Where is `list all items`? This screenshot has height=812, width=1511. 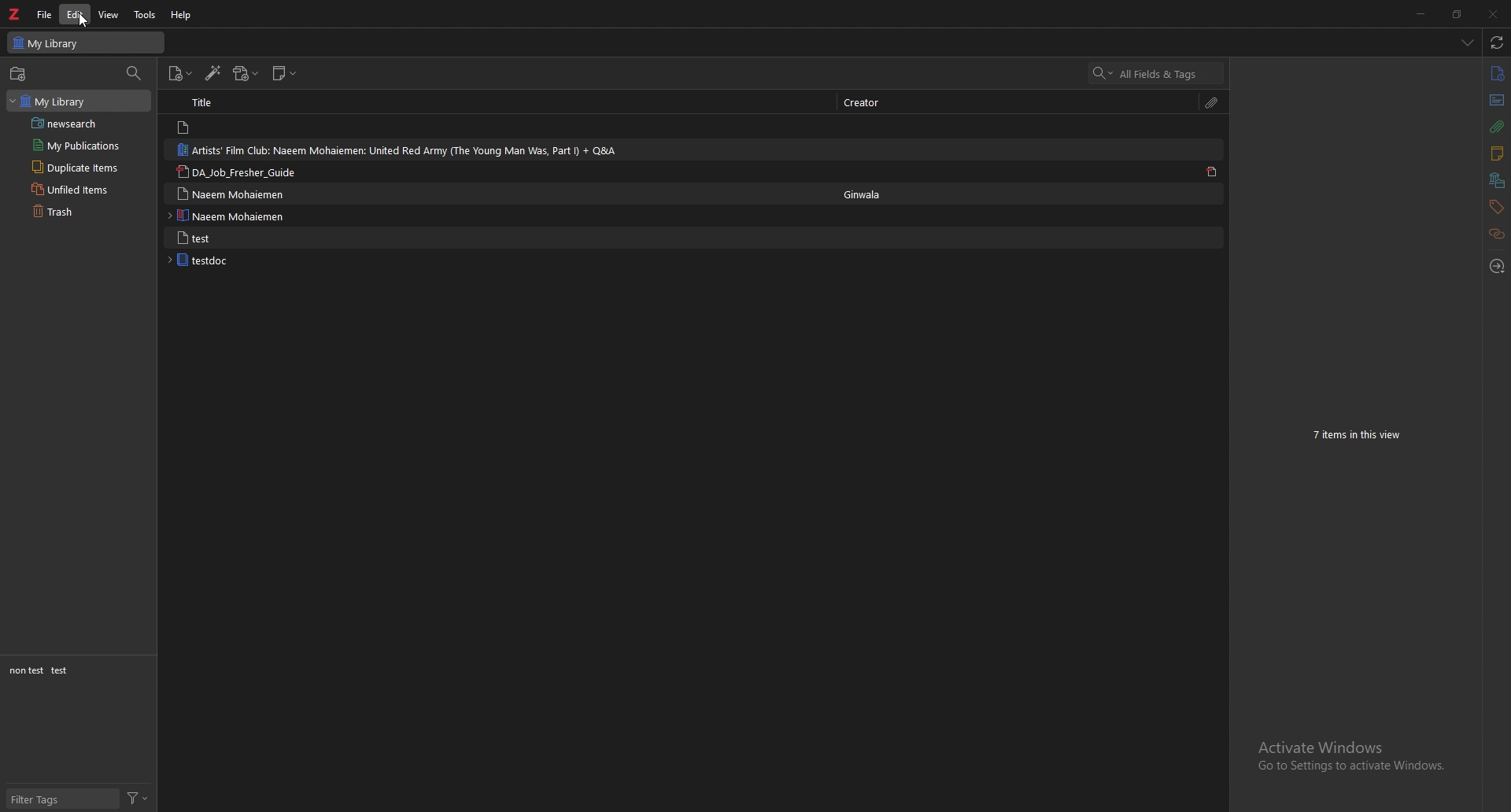 list all items is located at coordinates (1467, 42).